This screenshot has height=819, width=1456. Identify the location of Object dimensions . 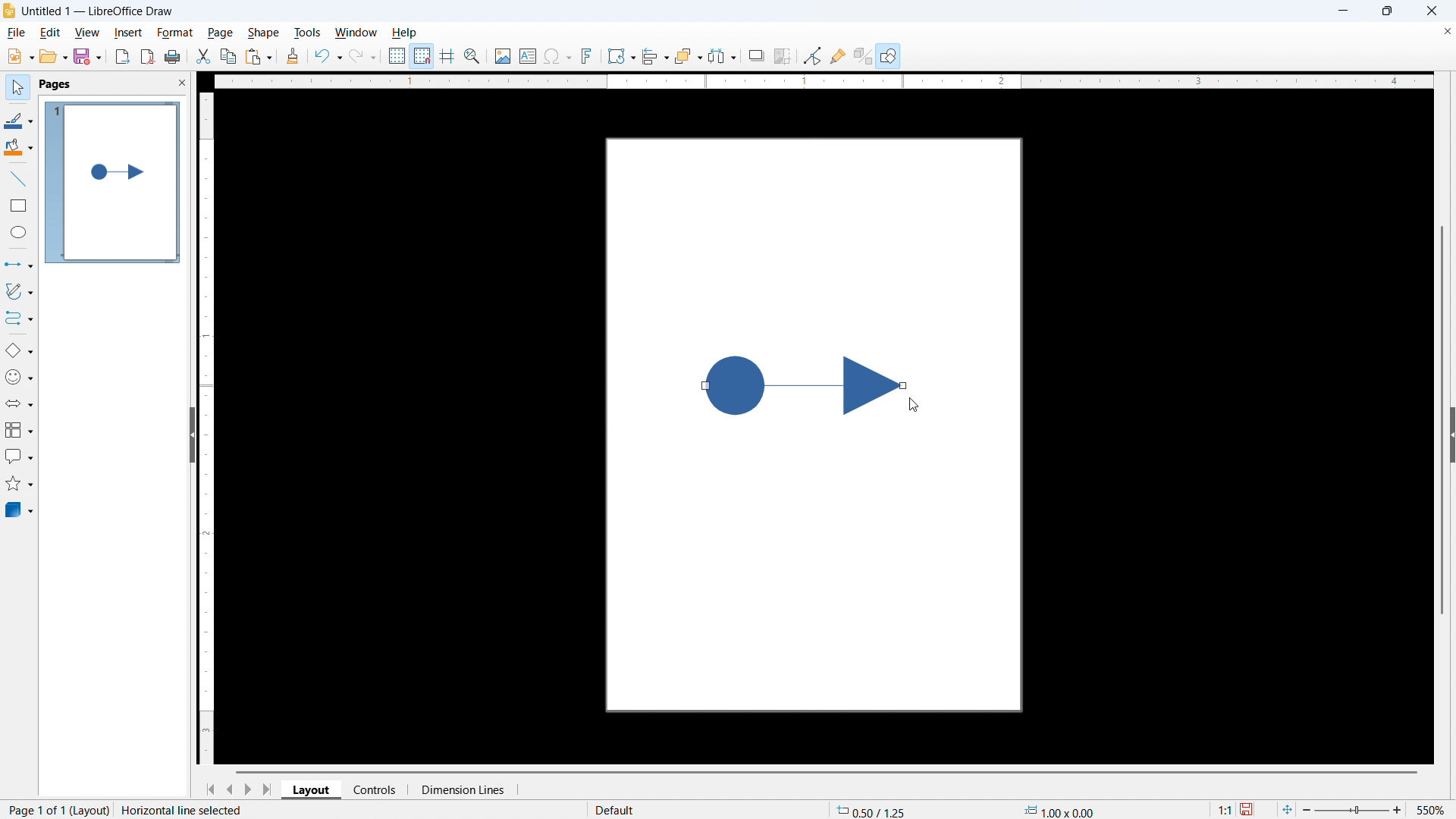
(1059, 810).